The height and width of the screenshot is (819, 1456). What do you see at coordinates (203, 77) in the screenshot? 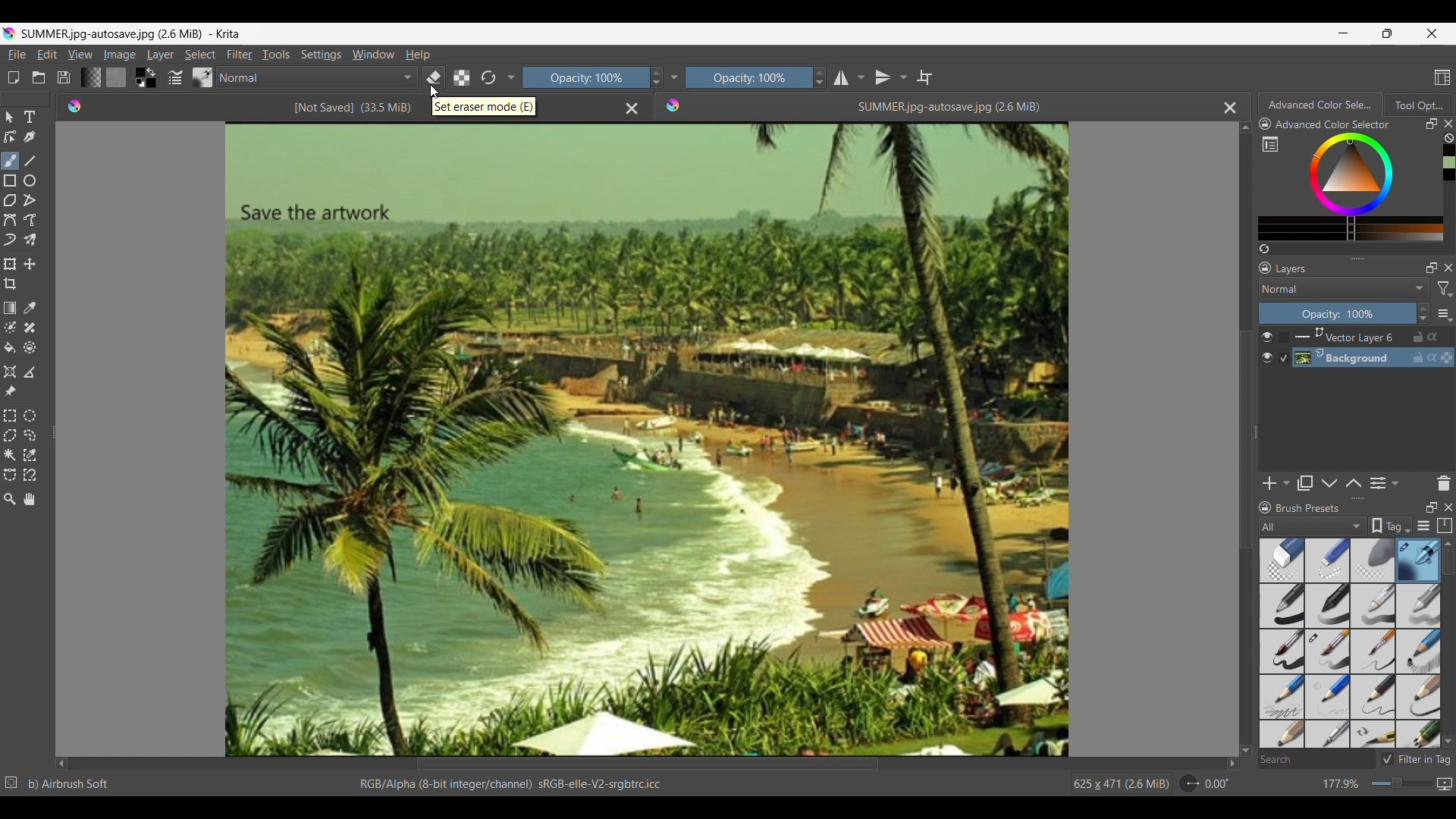
I see `Choose brush preset` at bounding box center [203, 77].